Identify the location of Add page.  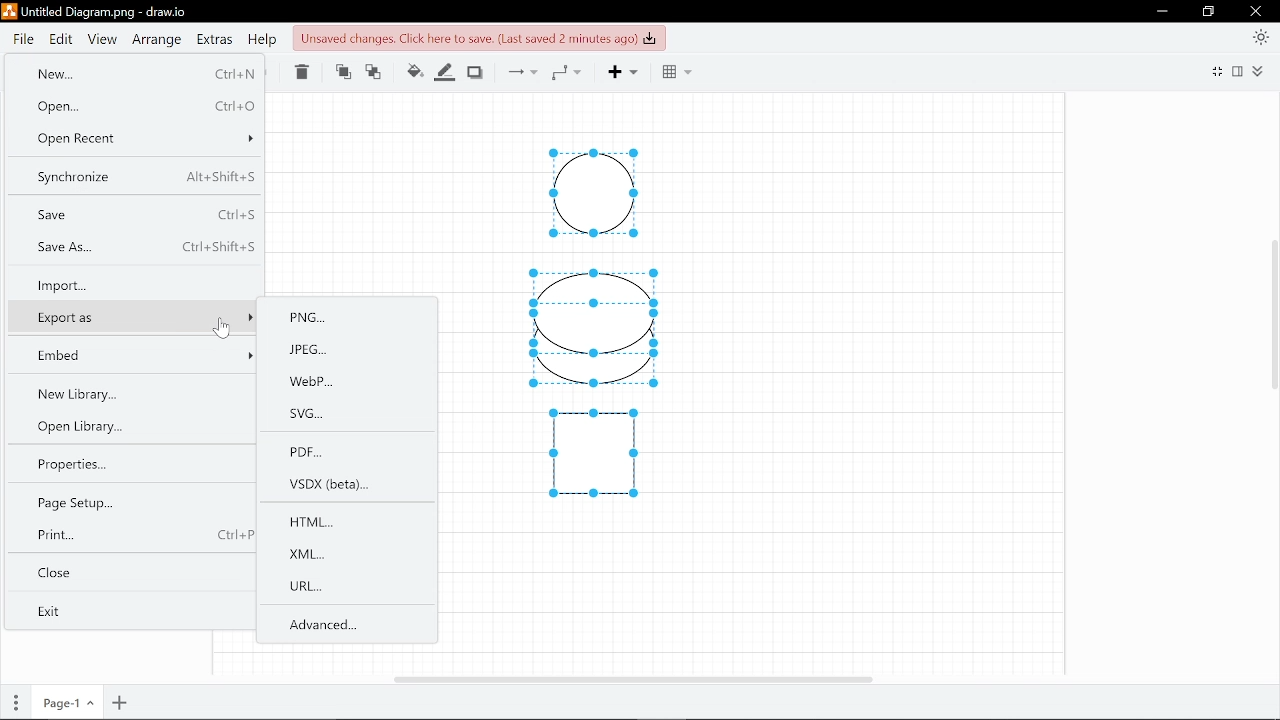
(120, 703).